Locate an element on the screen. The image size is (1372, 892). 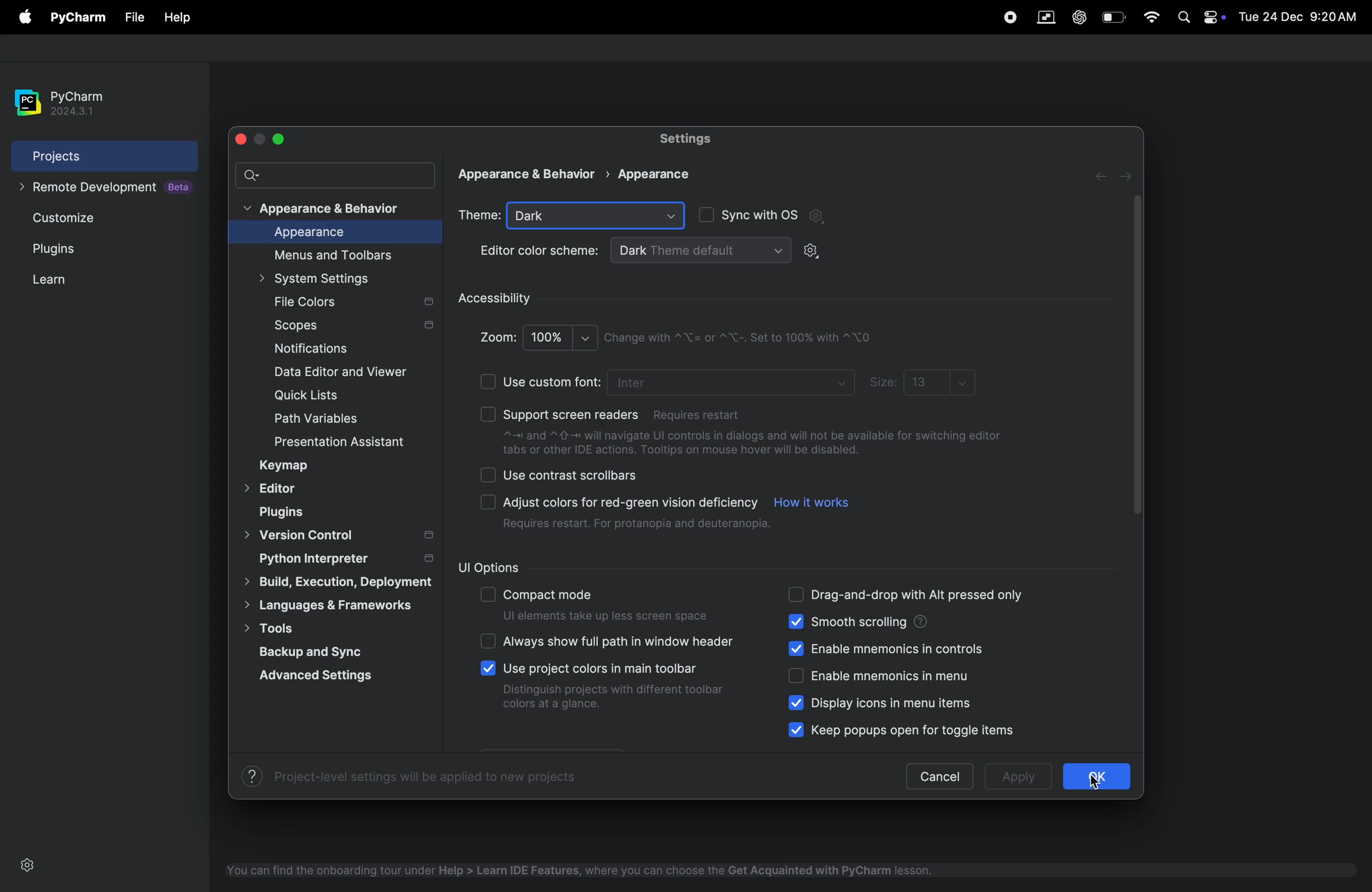
customize is located at coordinates (86, 217).